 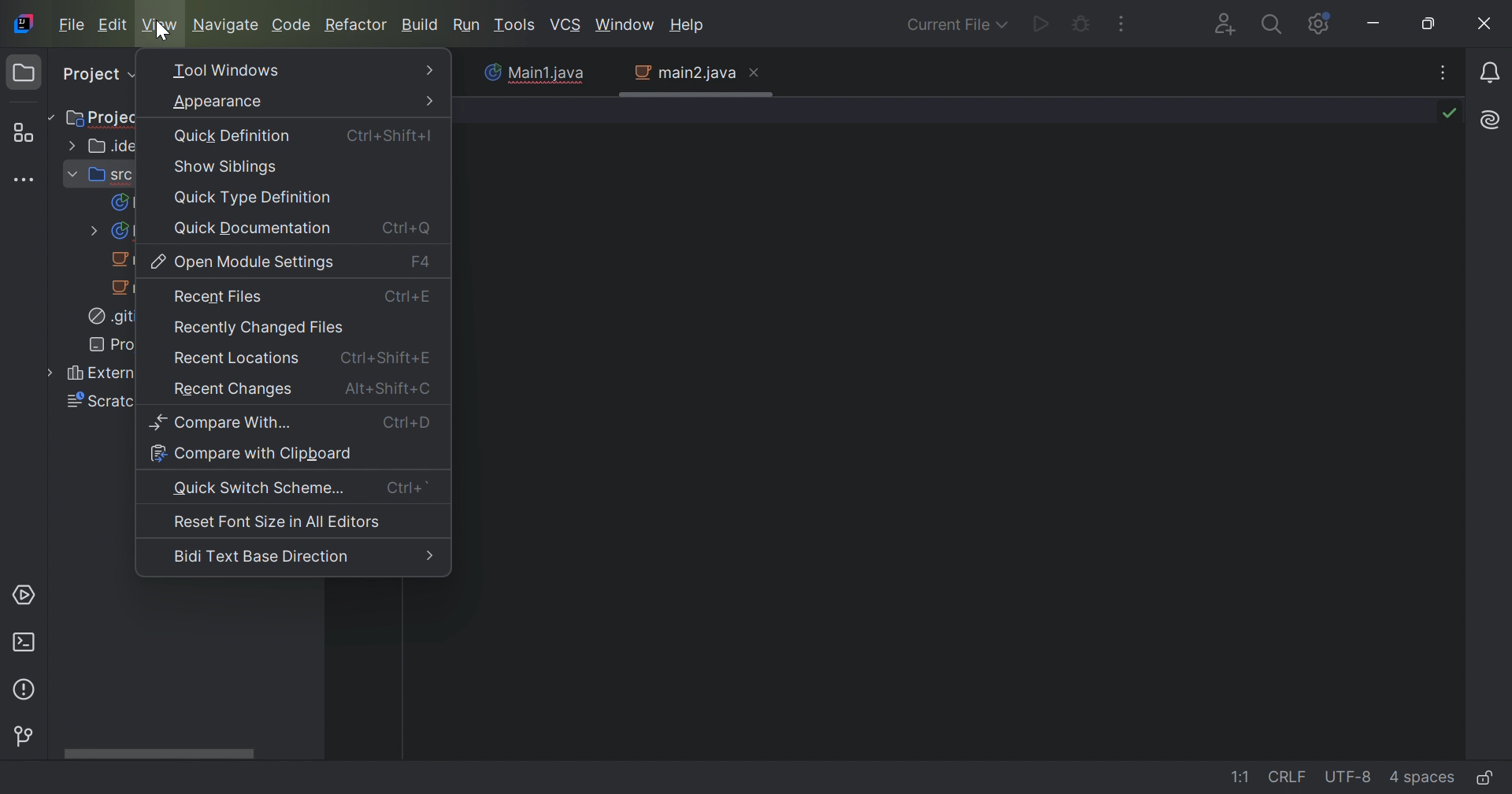 I want to click on Bidi text base direction, so click(x=260, y=557).